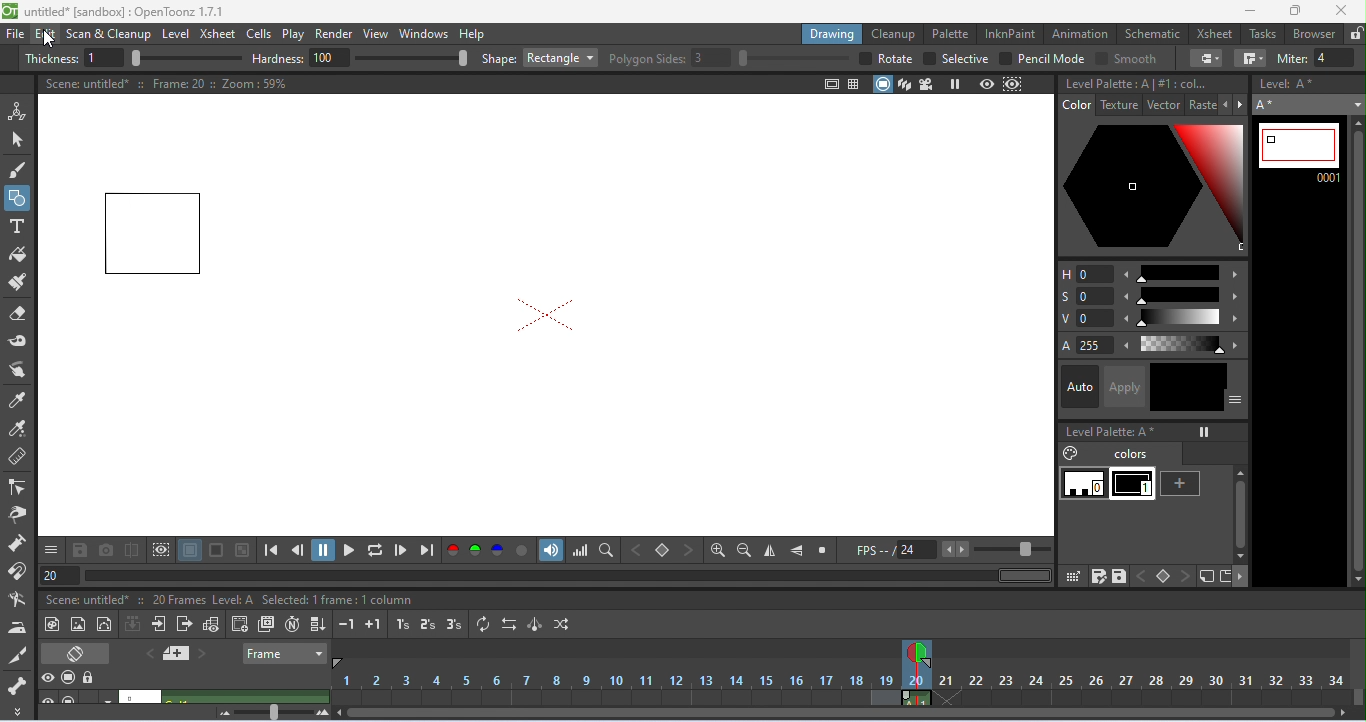 This screenshot has width=1366, height=722. I want to click on field guide, so click(855, 85).